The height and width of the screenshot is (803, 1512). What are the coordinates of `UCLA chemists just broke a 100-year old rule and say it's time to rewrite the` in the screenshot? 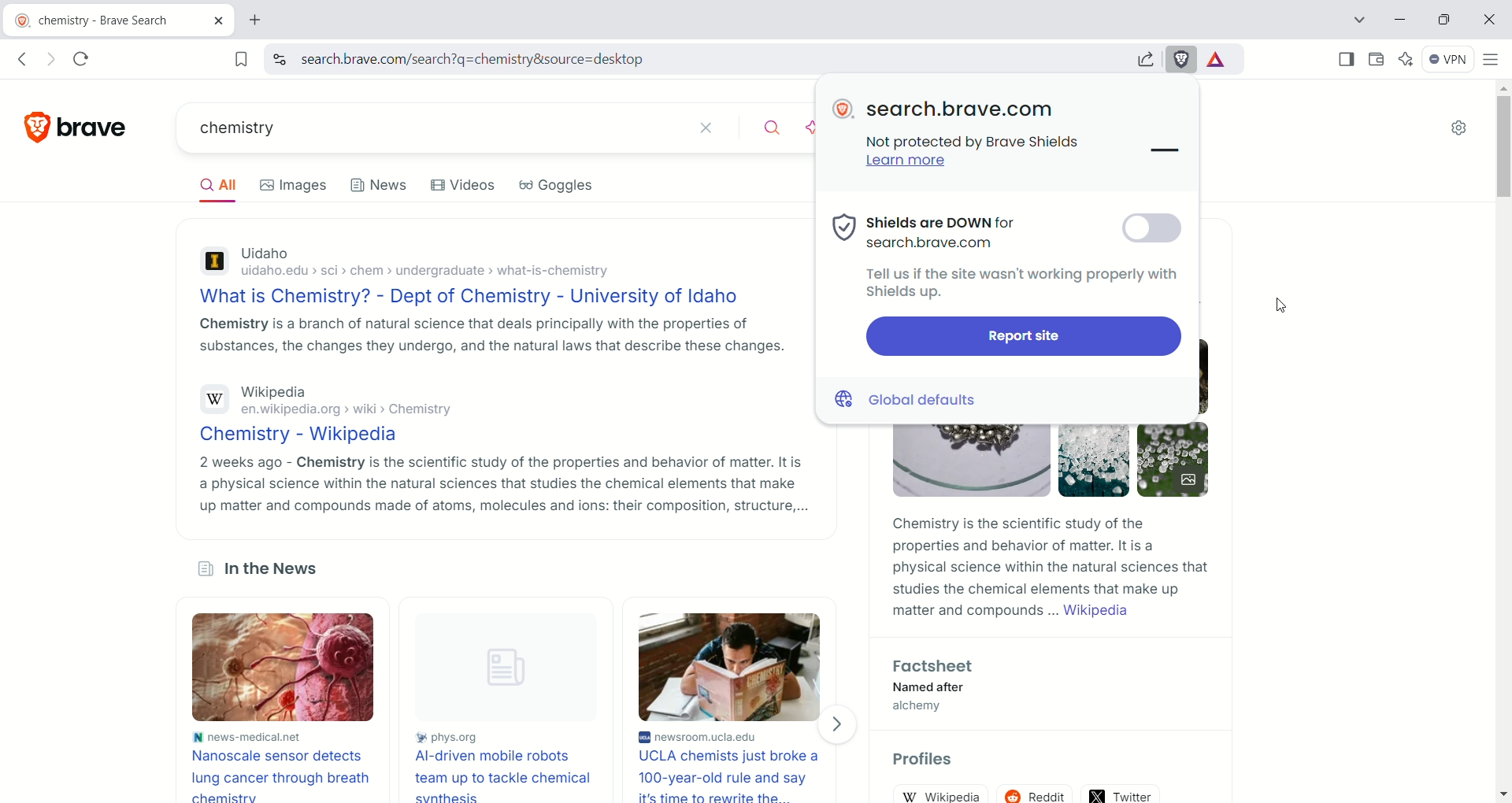 It's located at (734, 776).